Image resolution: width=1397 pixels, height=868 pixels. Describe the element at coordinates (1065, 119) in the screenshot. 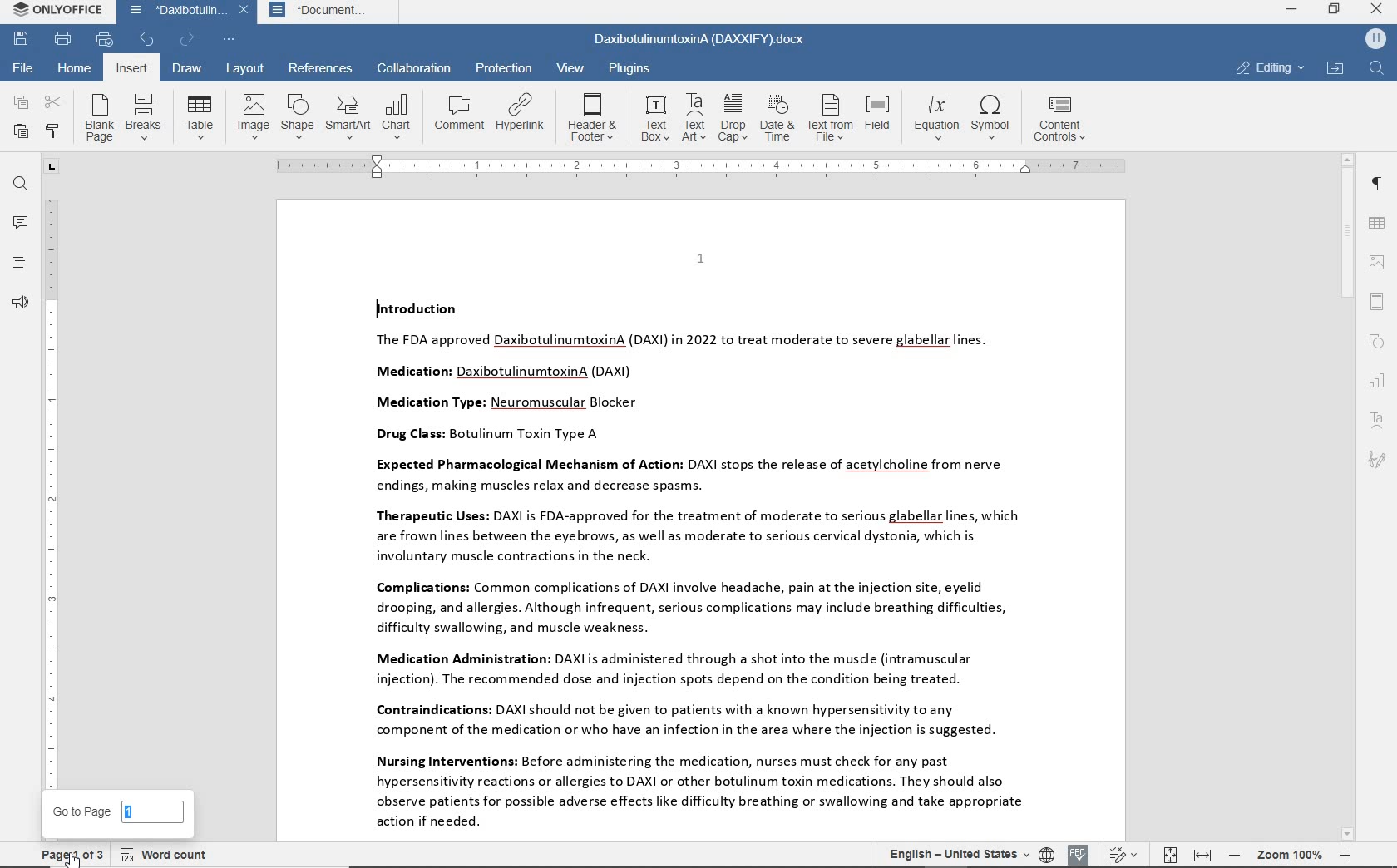

I see `content controls` at that location.